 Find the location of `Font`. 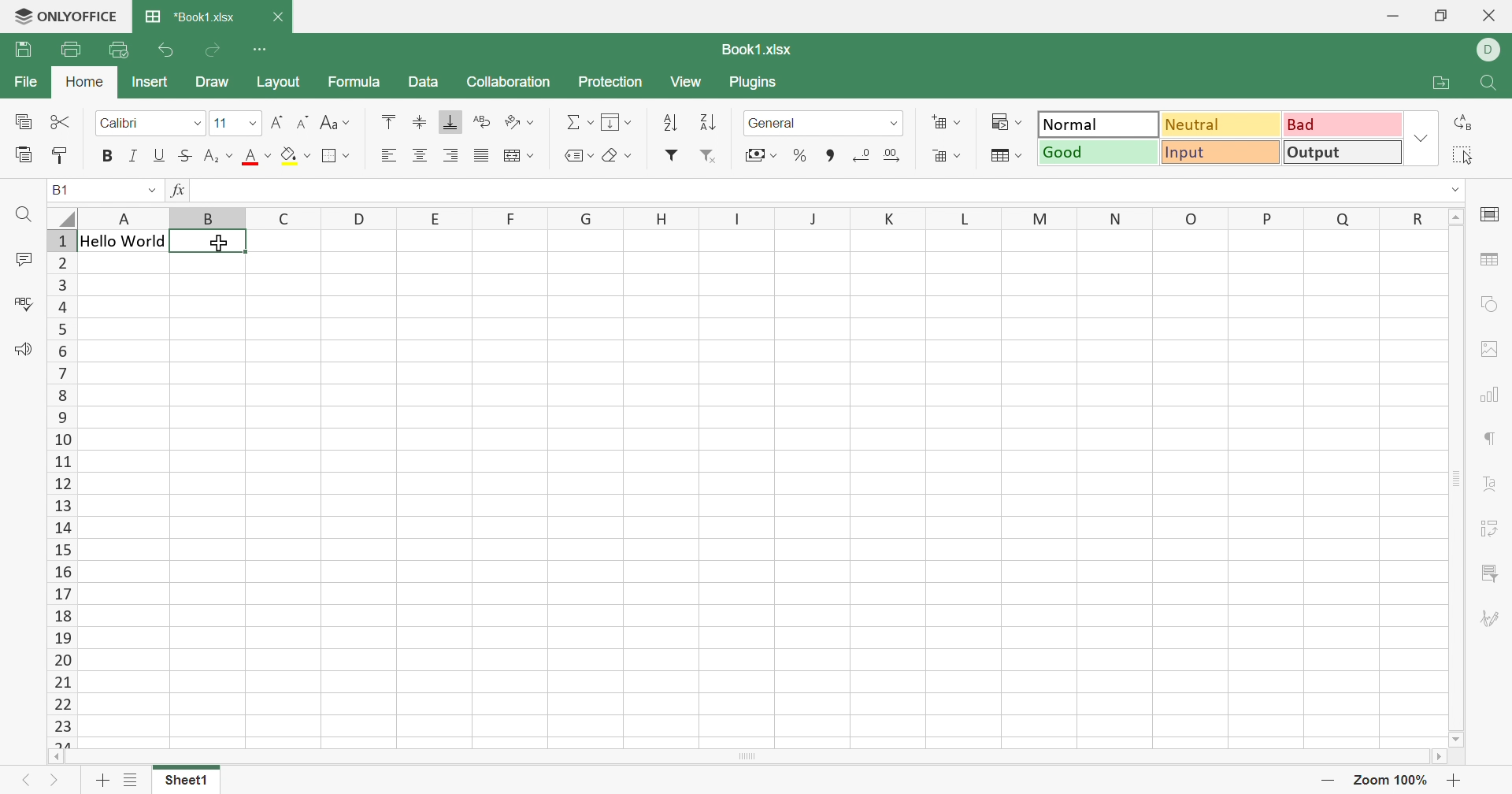

Font is located at coordinates (149, 124).